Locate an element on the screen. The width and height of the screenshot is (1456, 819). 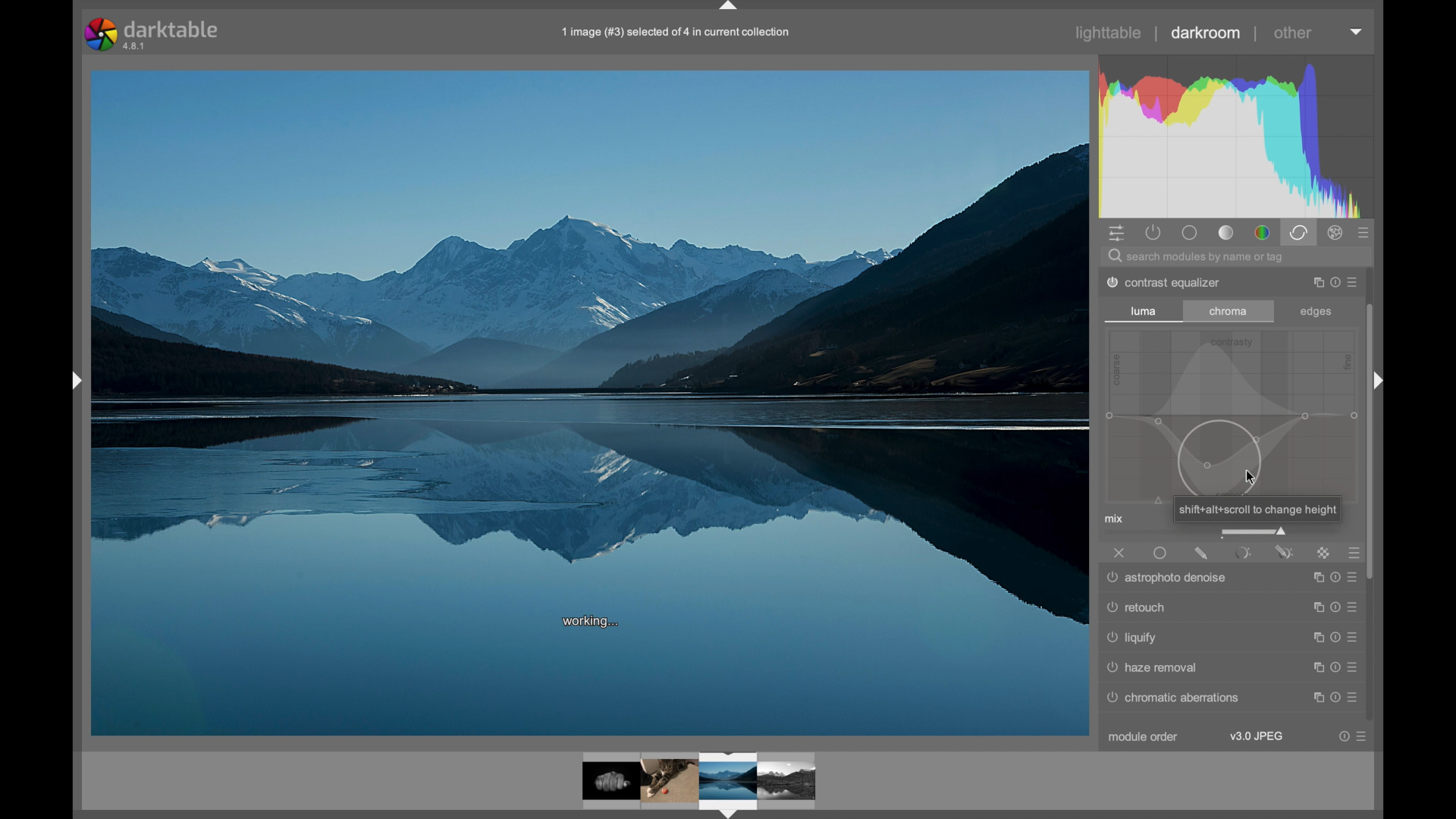
uniformly is located at coordinates (1161, 553).